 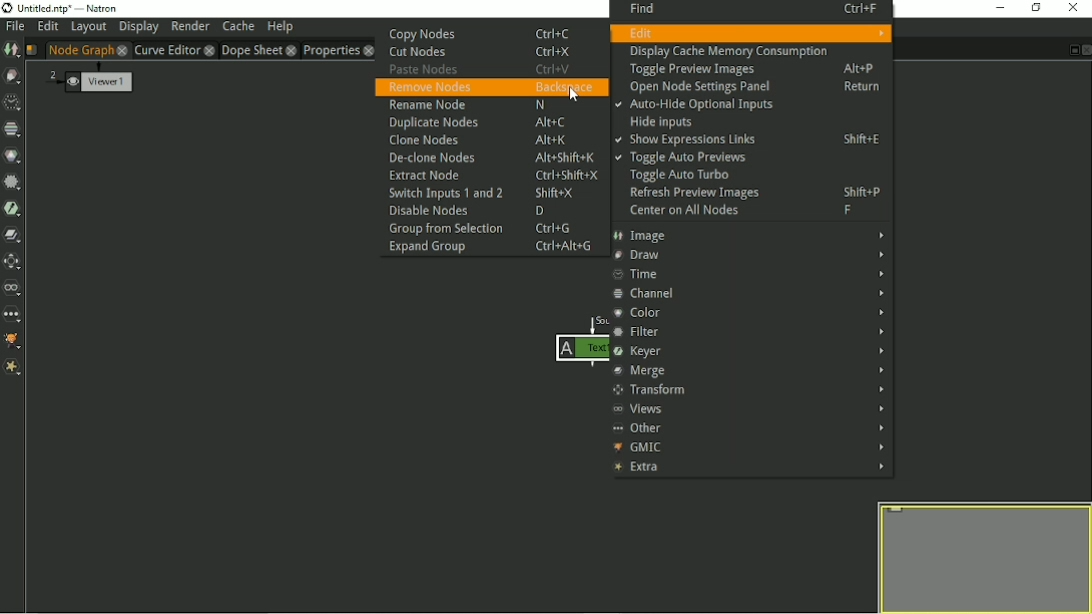 What do you see at coordinates (489, 87) in the screenshot?
I see `Remove Nodes` at bounding box center [489, 87].